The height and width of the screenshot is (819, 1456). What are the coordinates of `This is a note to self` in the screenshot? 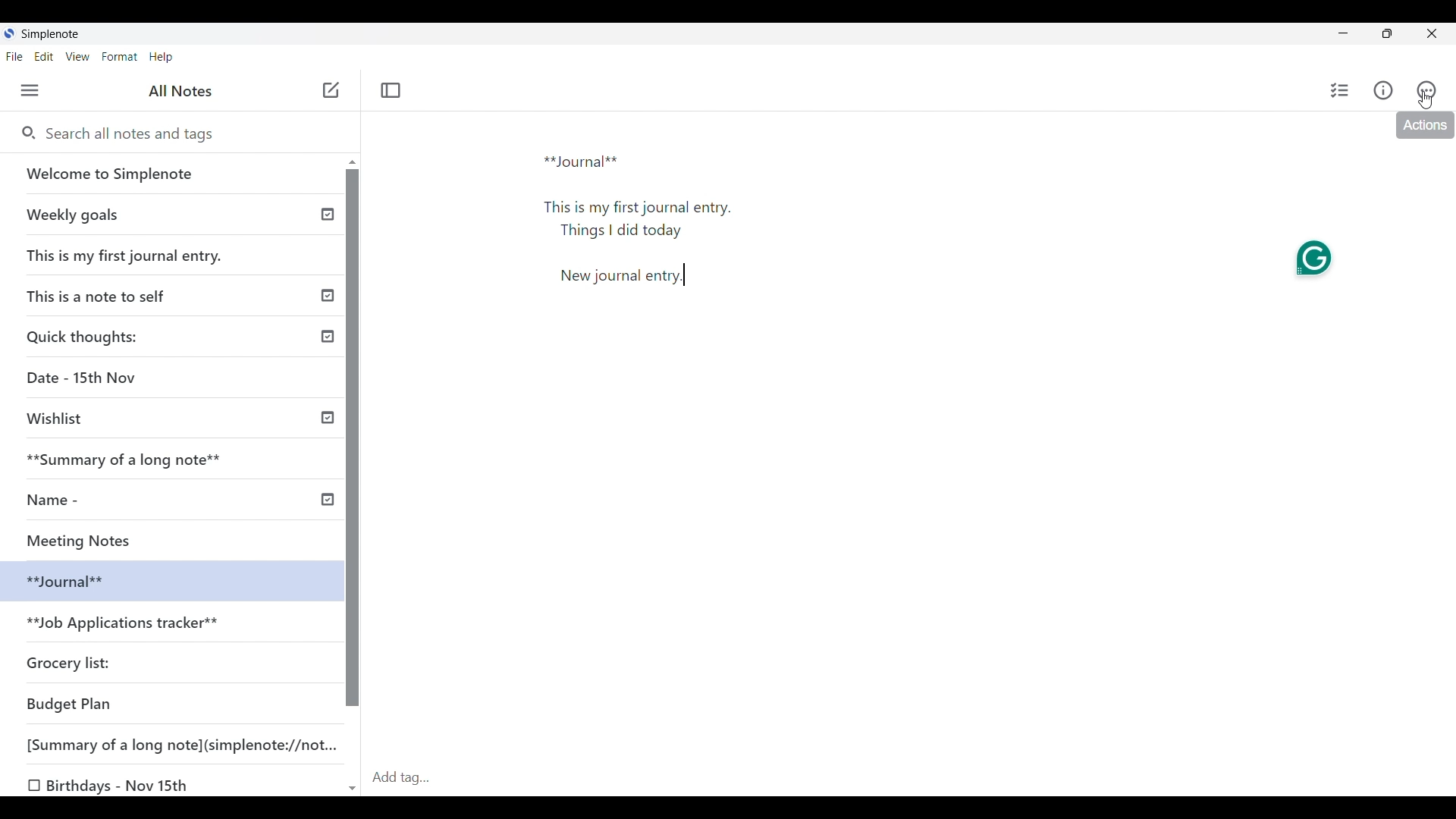 It's located at (102, 295).